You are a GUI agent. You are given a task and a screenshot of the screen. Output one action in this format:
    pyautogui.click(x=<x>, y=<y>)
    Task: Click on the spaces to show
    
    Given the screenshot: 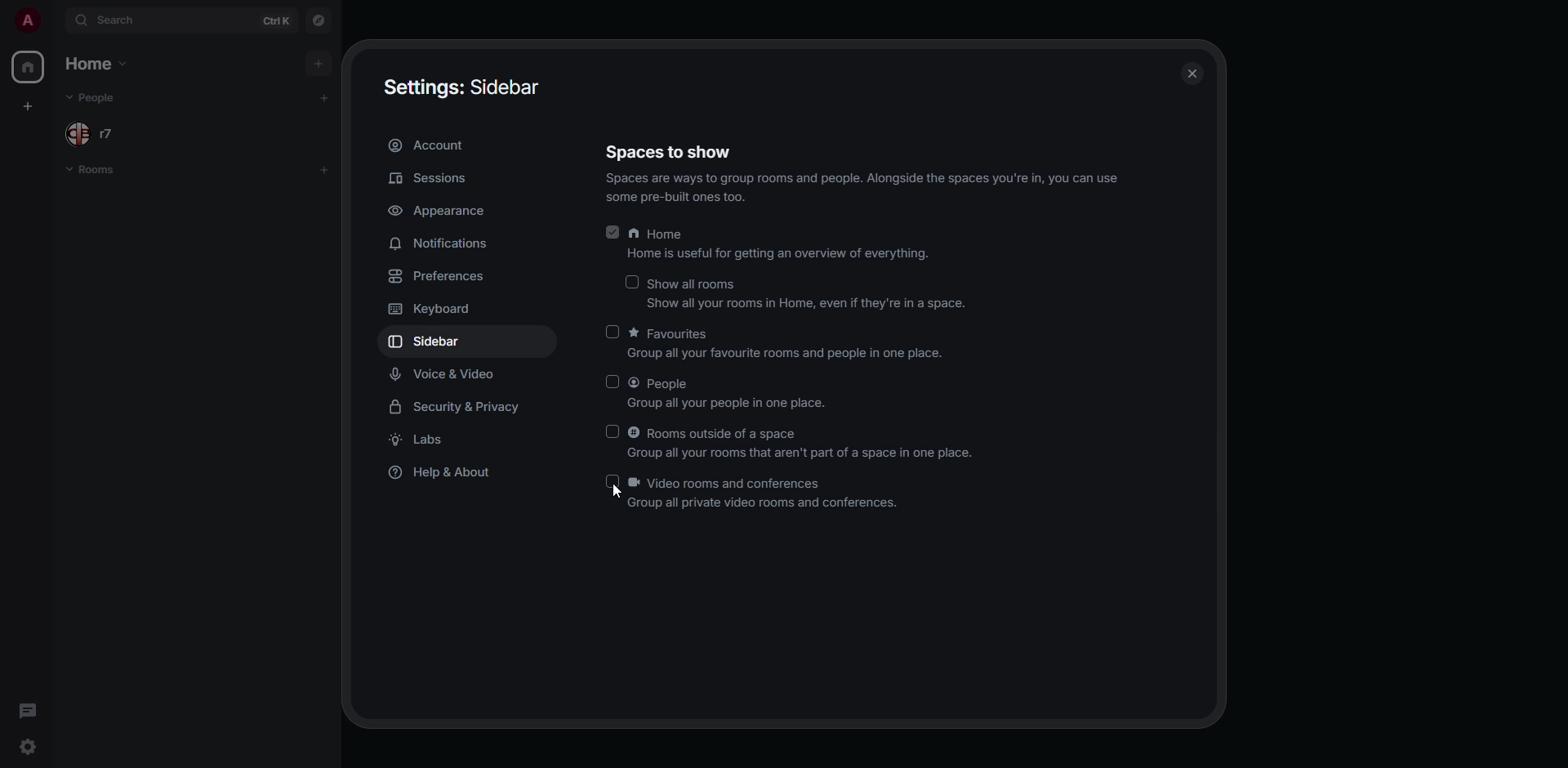 What is the action you would take?
    pyautogui.click(x=865, y=169)
    